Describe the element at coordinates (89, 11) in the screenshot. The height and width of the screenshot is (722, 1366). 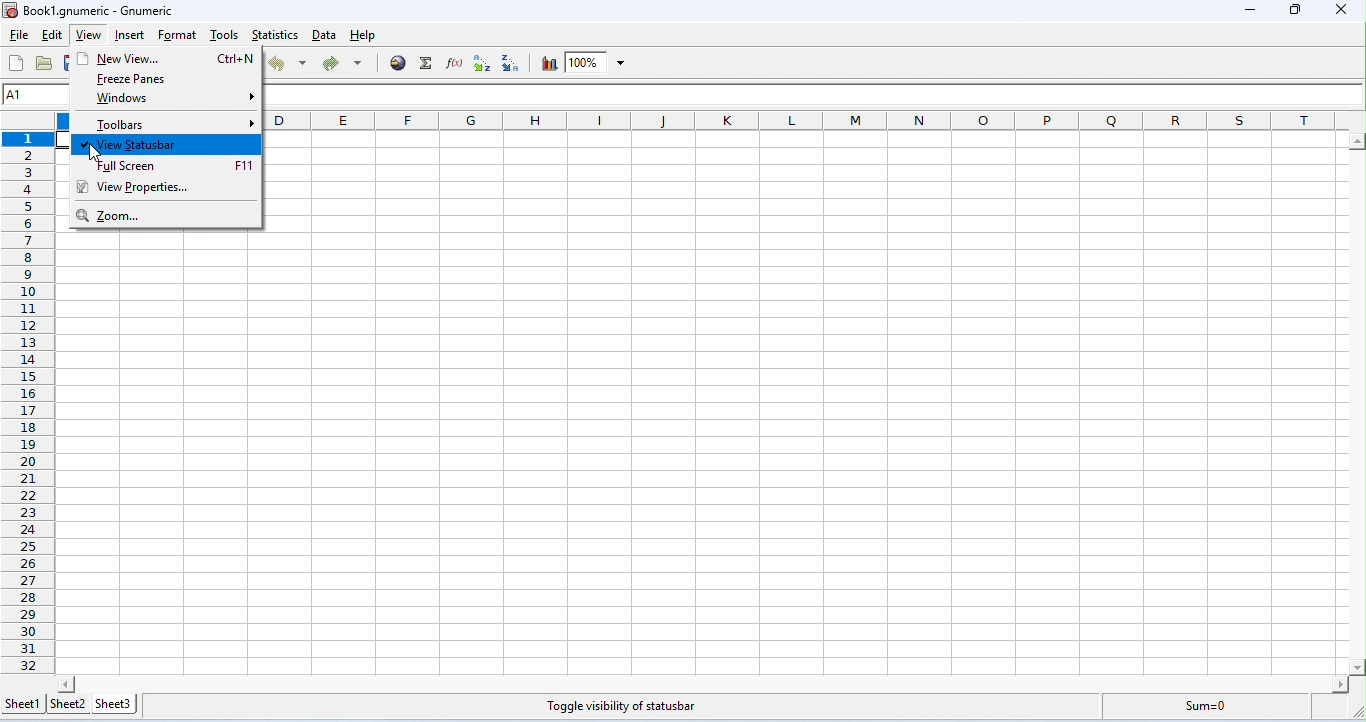
I see `Book1 numeric - Gnumeric` at that location.